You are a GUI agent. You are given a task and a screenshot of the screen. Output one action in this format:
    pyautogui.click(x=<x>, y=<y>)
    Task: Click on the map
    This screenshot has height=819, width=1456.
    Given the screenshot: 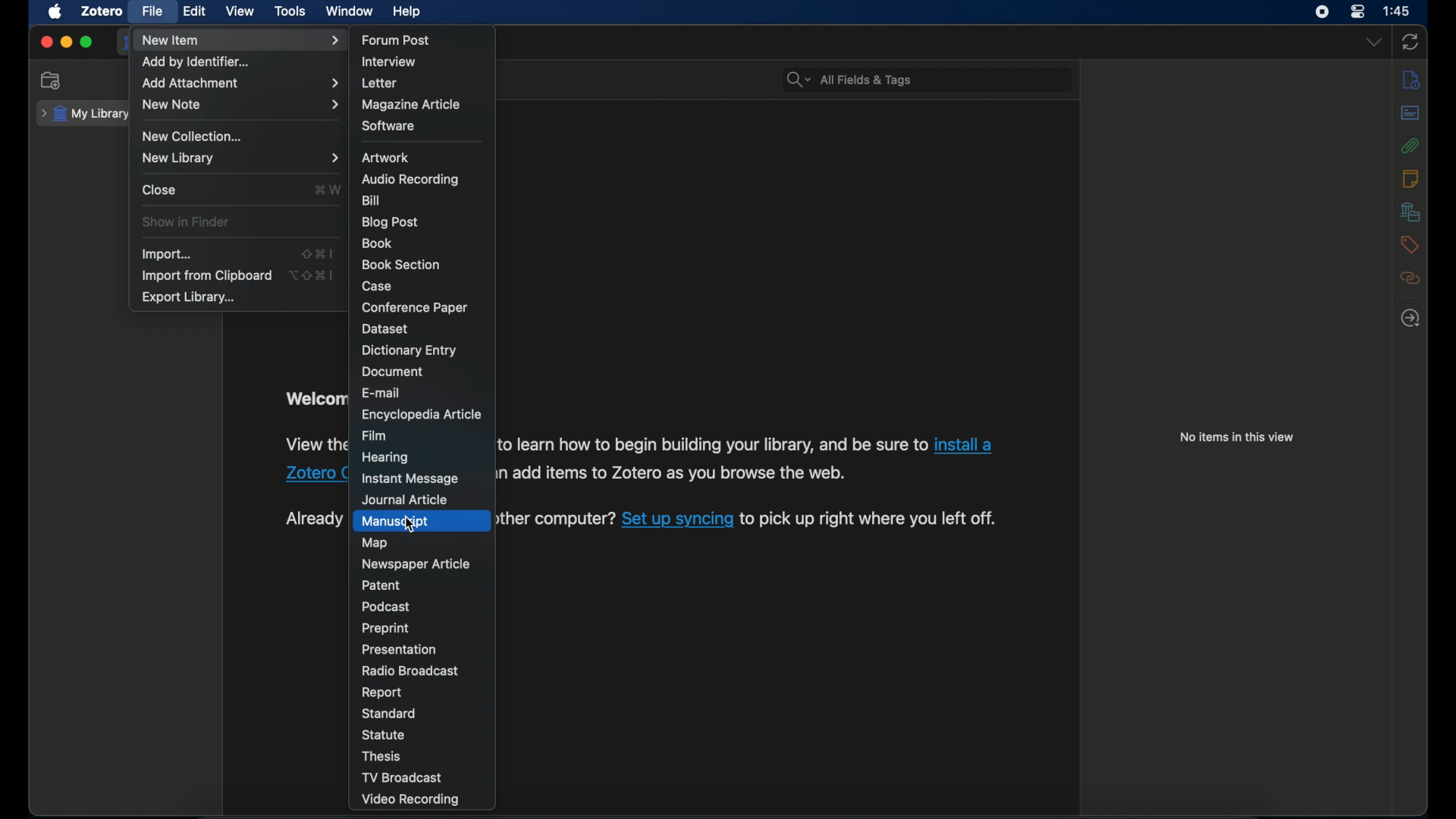 What is the action you would take?
    pyautogui.click(x=375, y=543)
    